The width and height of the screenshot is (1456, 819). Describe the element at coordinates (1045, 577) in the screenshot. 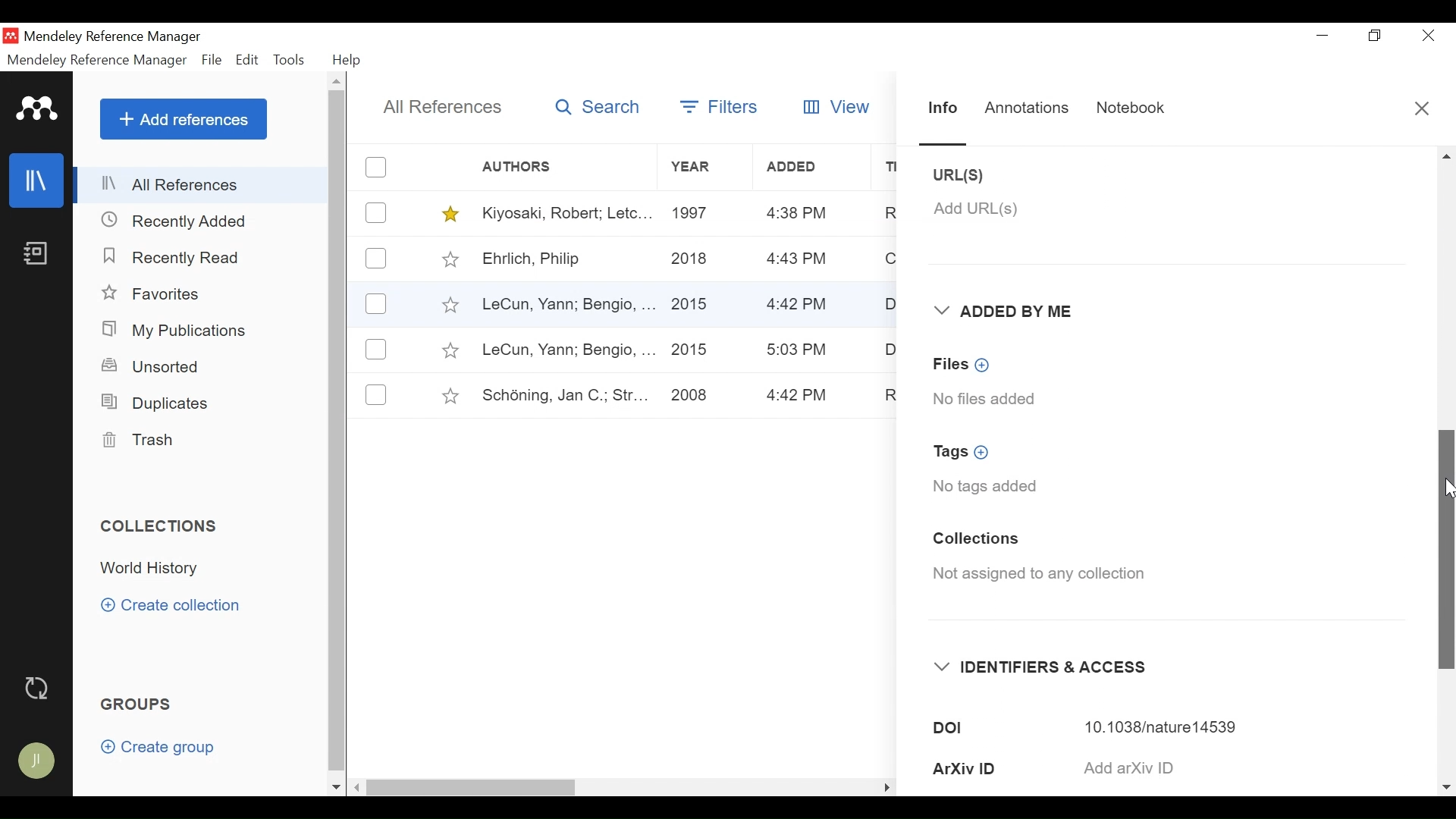

I see `Not assigned to any collection` at that location.